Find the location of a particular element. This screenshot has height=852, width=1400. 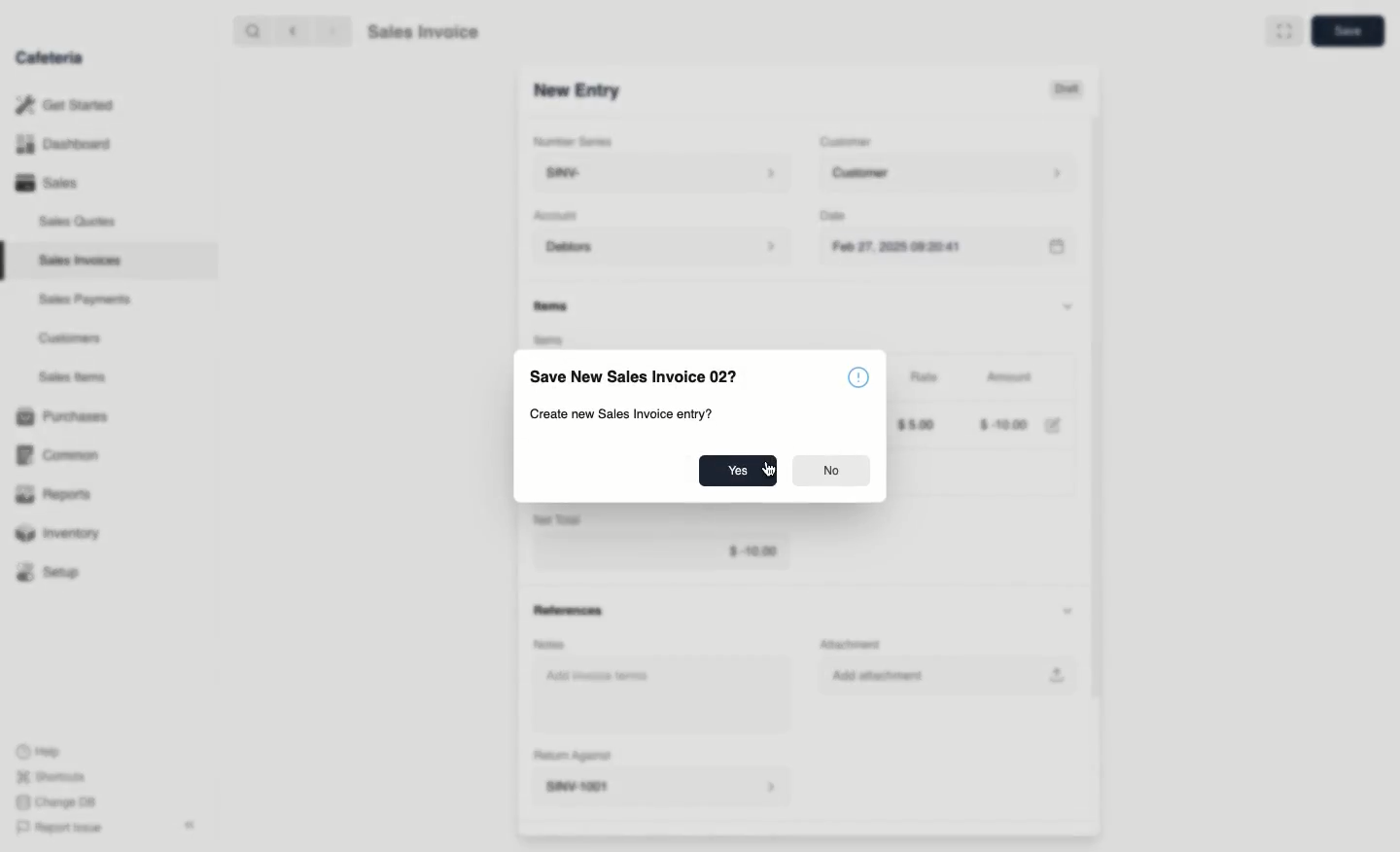

cursor is located at coordinates (772, 478).